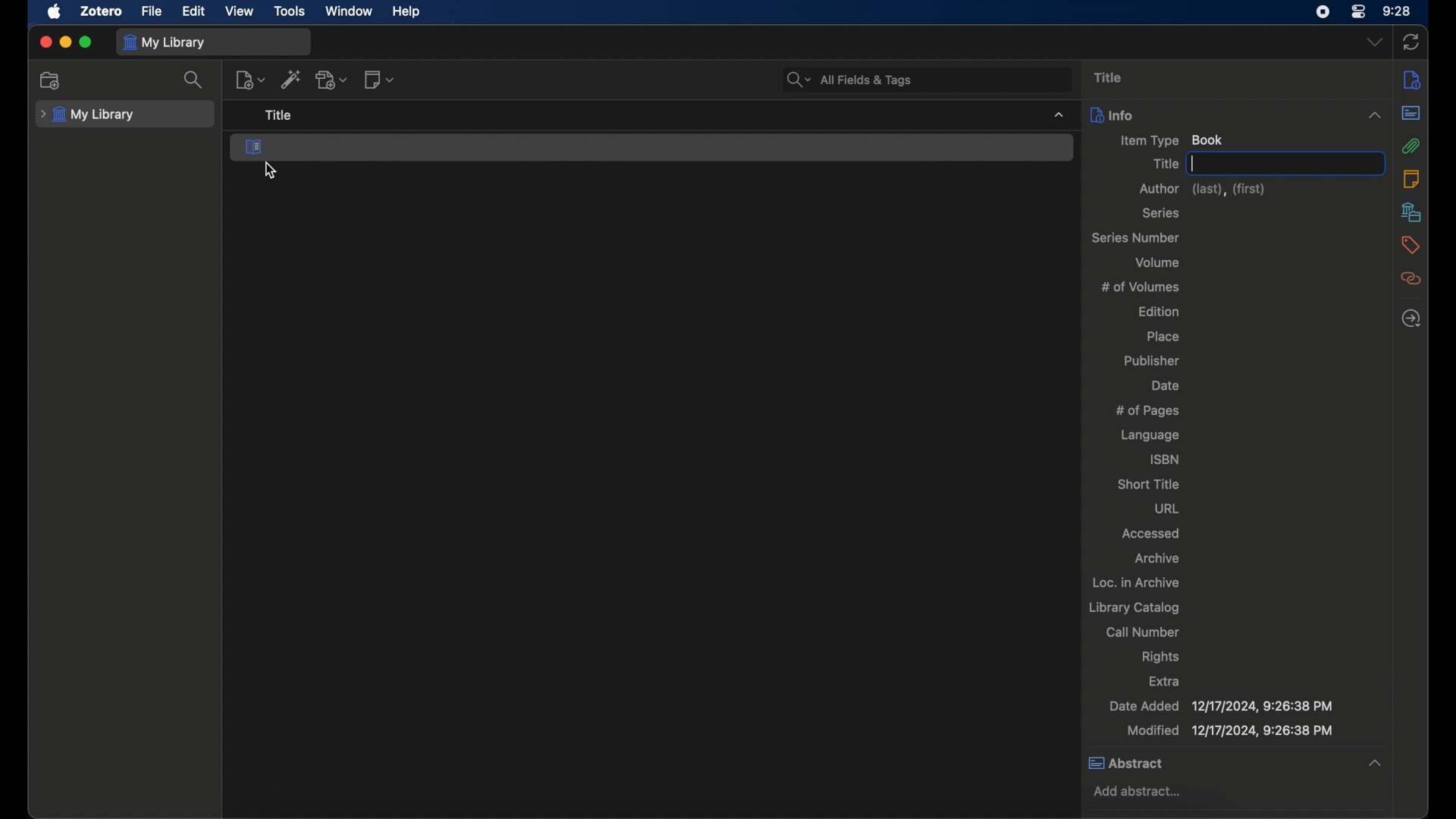 The height and width of the screenshot is (819, 1456). What do you see at coordinates (1410, 278) in the screenshot?
I see `related` at bounding box center [1410, 278].